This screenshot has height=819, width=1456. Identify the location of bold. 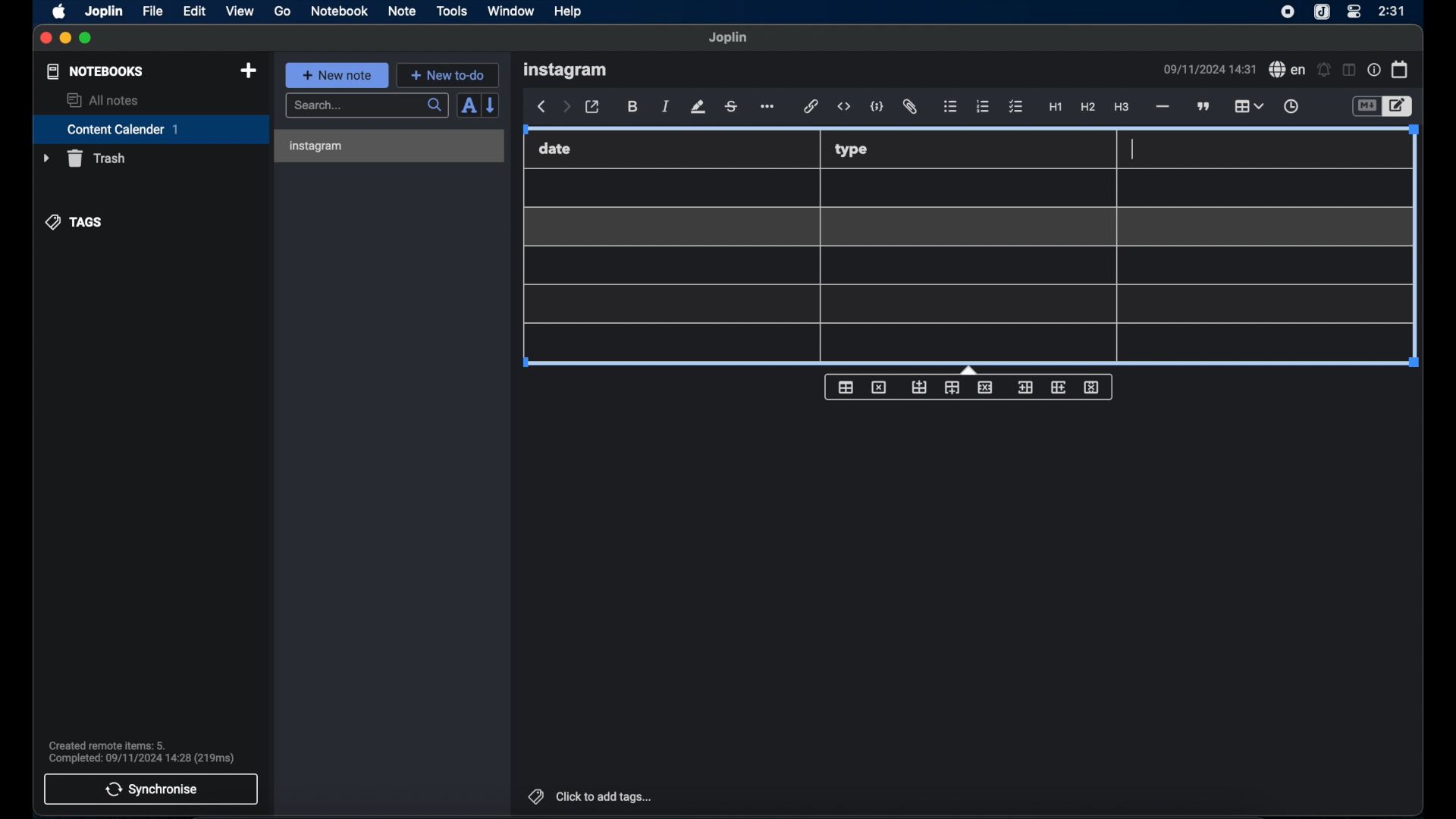
(633, 107).